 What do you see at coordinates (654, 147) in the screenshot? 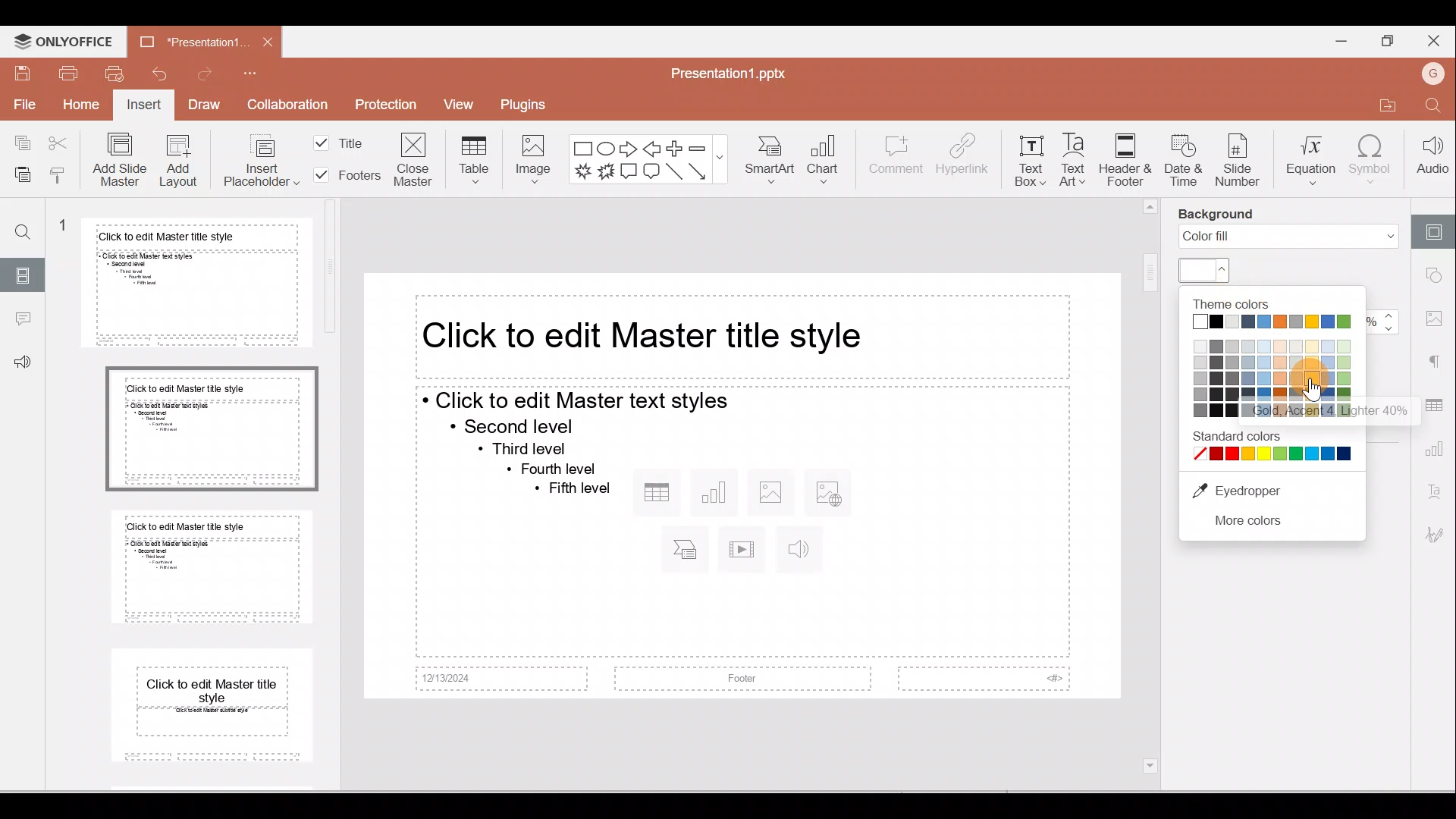
I see `Left arrow` at bounding box center [654, 147].